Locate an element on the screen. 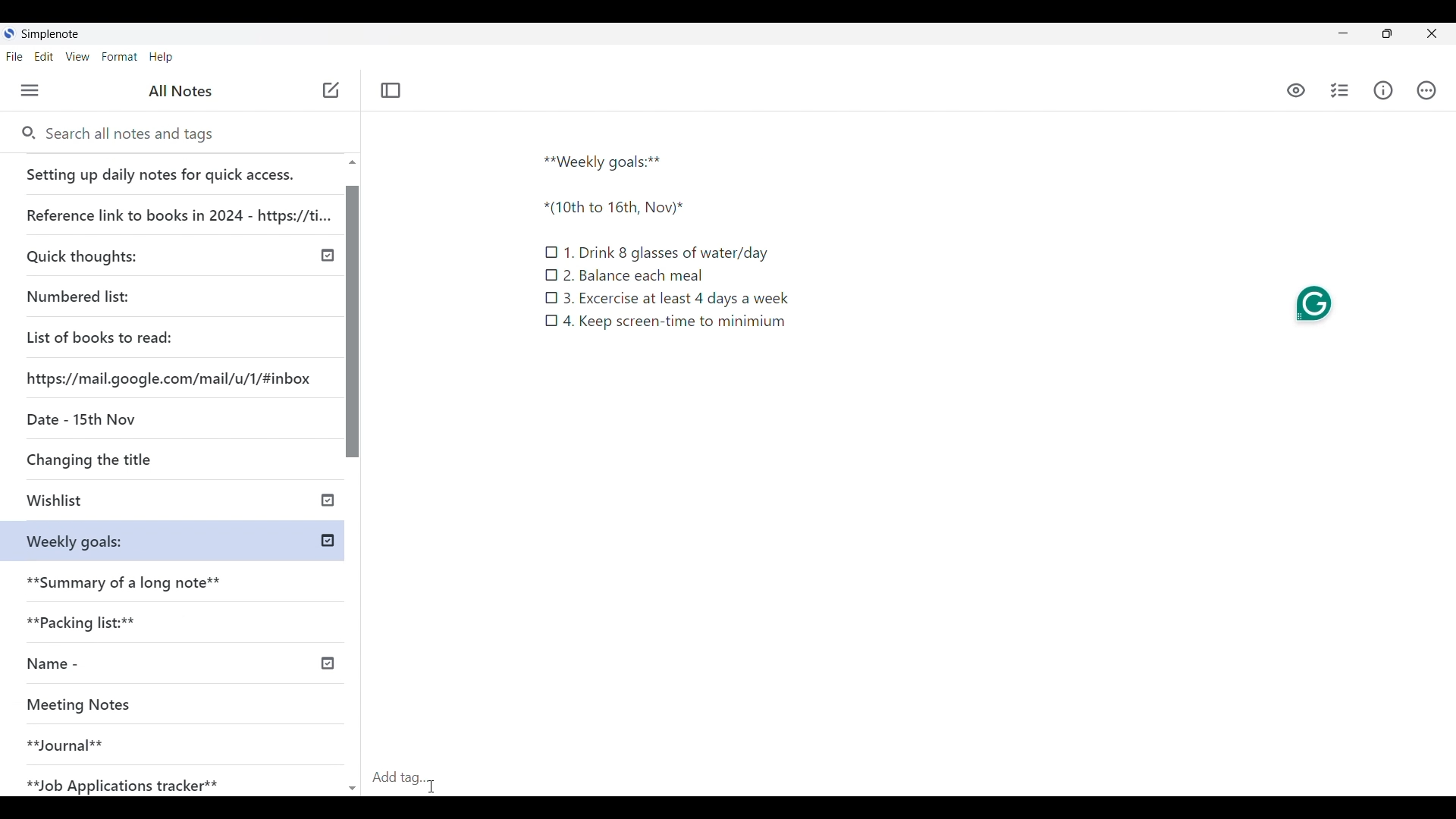 The width and height of the screenshot is (1456, 819). Summary is located at coordinates (181, 578).